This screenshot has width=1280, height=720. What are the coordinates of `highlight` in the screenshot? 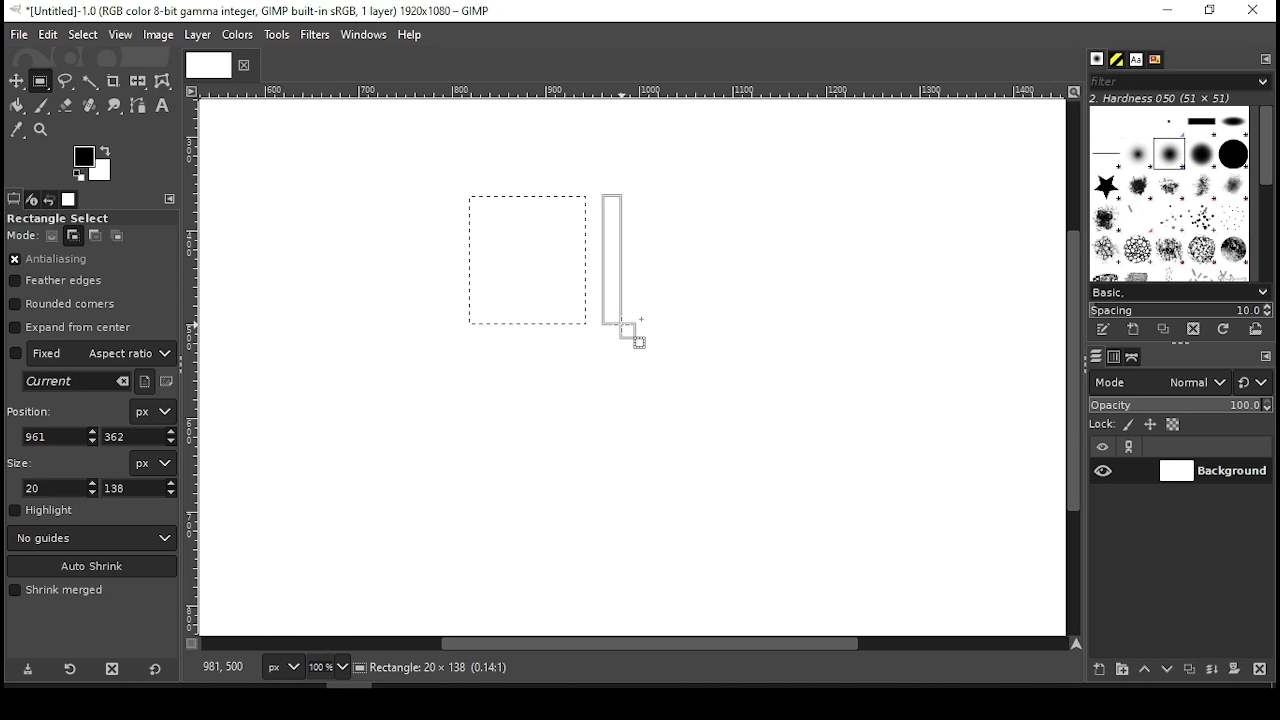 It's located at (42, 510).